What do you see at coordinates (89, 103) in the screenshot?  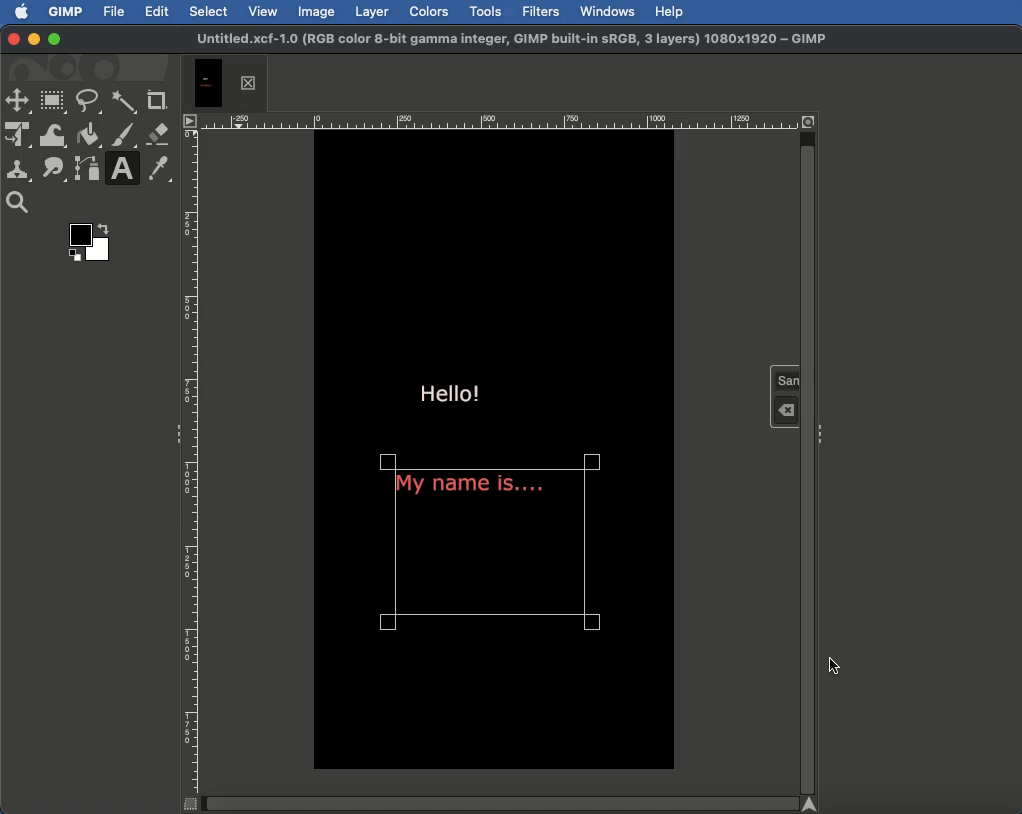 I see `Free select tool` at bounding box center [89, 103].